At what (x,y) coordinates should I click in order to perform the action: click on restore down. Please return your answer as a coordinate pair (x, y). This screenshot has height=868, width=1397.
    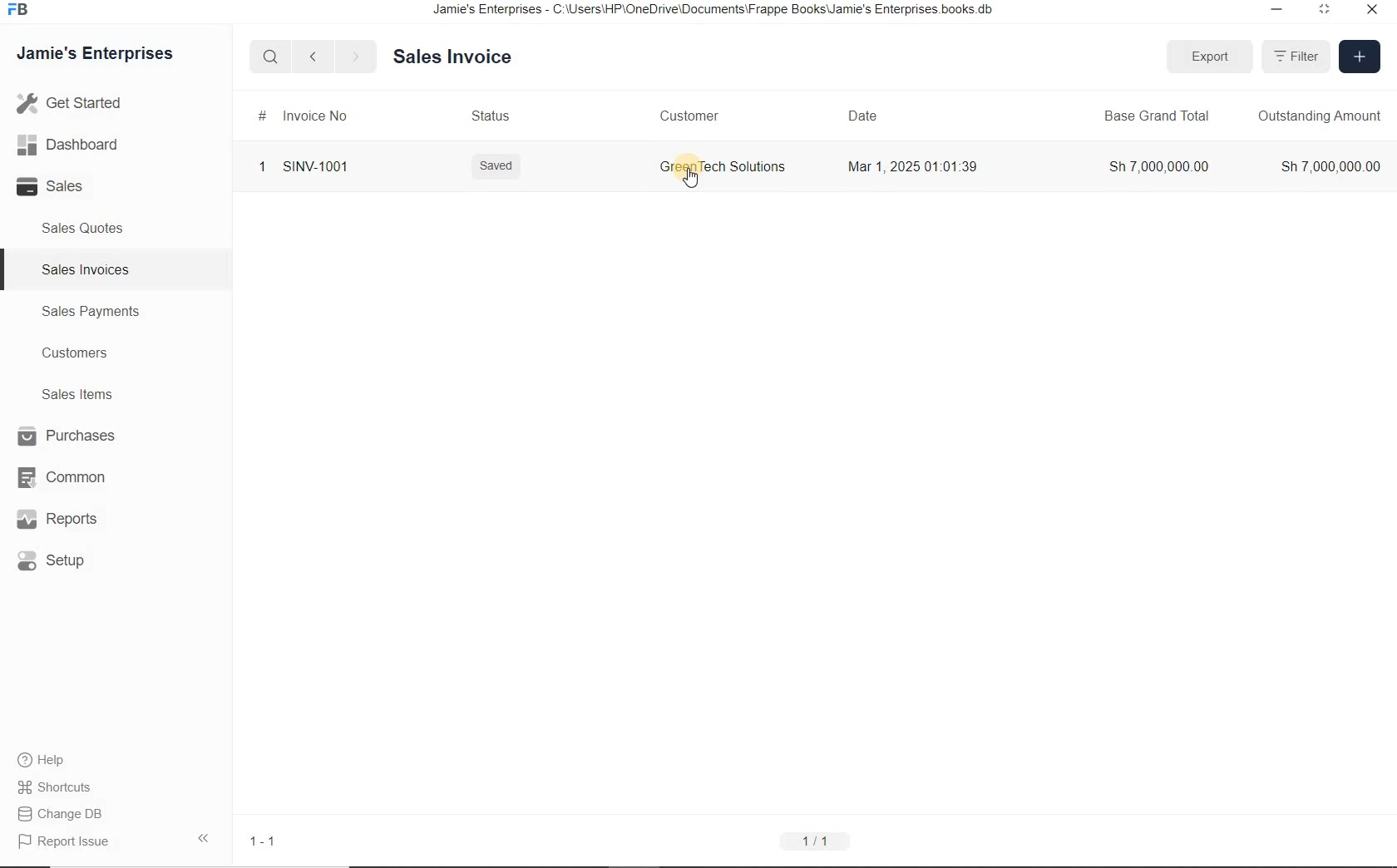
    Looking at the image, I should click on (1273, 11).